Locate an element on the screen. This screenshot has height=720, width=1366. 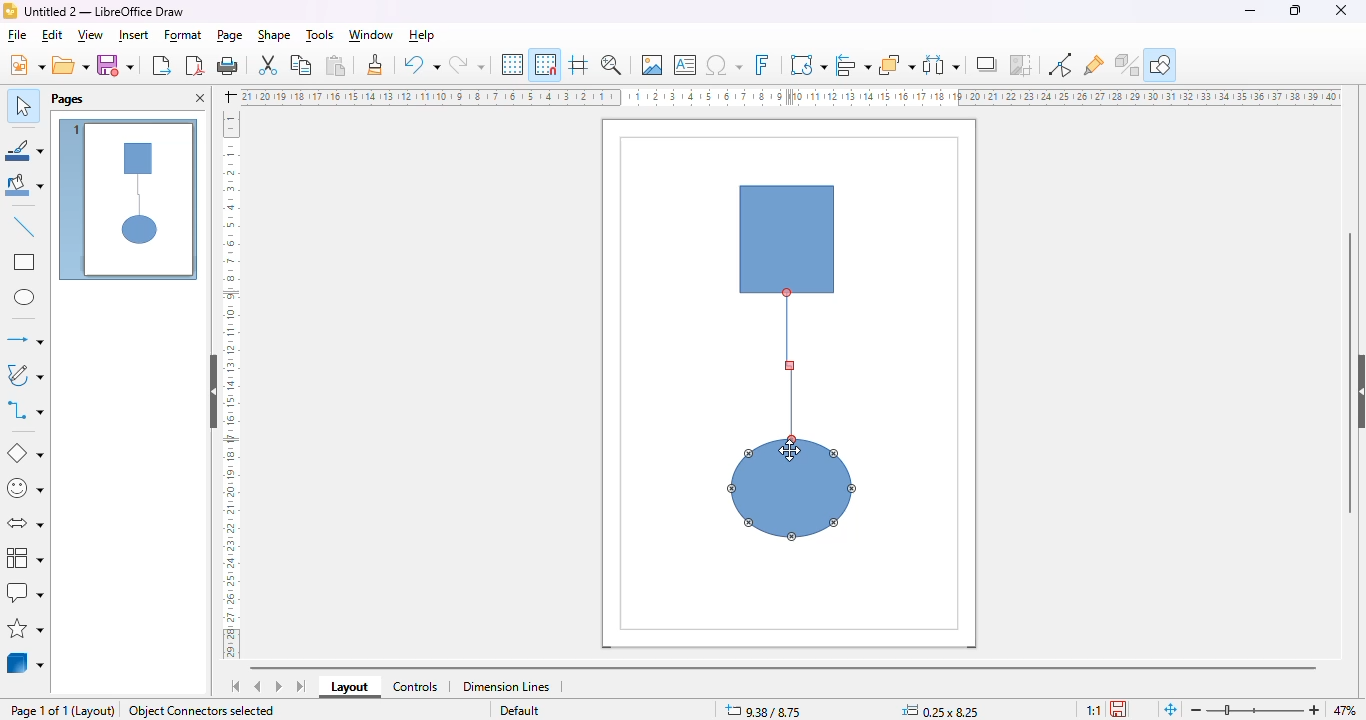
scroll to next sheet is located at coordinates (279, 686).